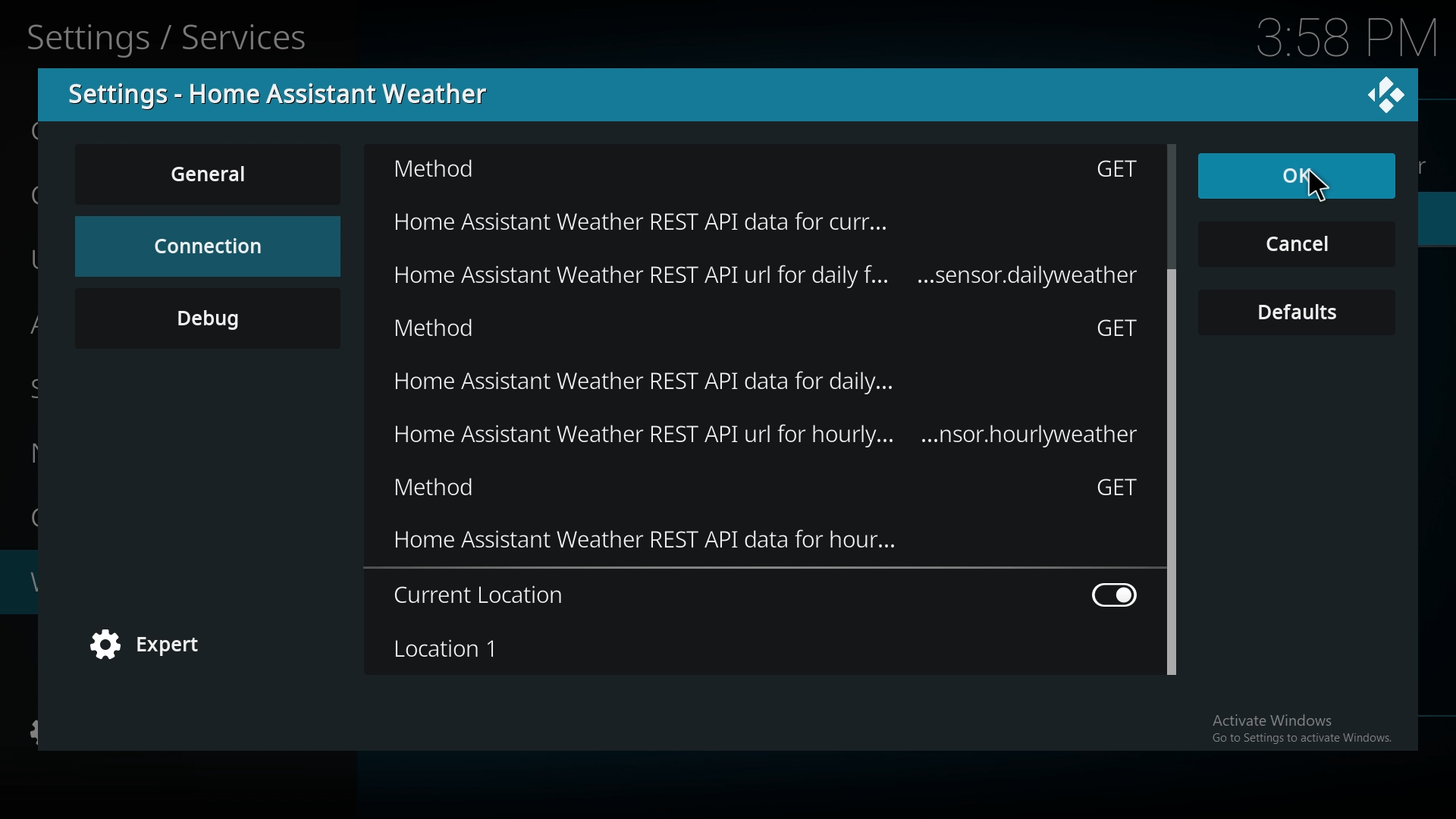  Describe the element at coordinates (155, 646) in the screenshot. I see `expert` at that location.